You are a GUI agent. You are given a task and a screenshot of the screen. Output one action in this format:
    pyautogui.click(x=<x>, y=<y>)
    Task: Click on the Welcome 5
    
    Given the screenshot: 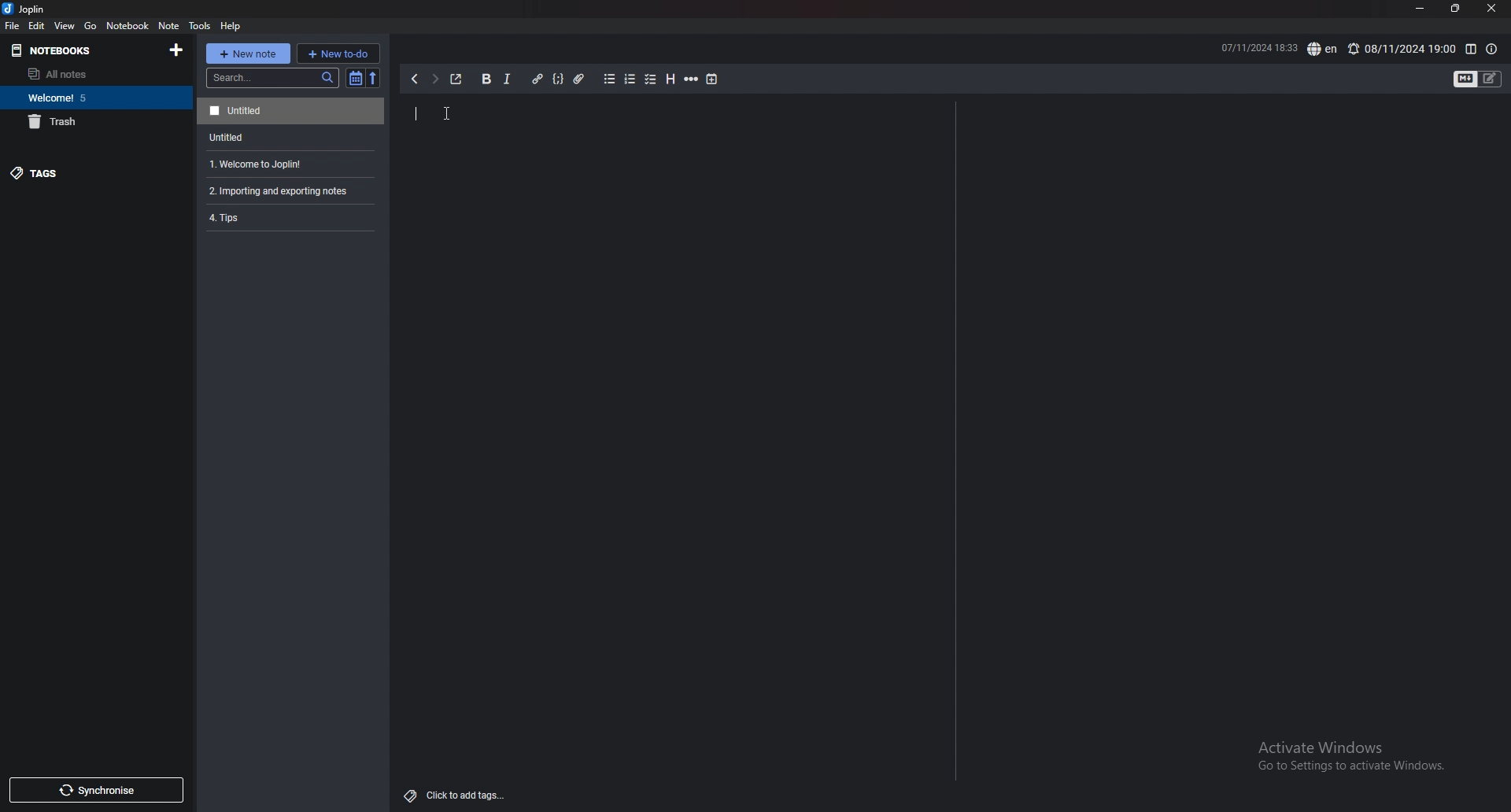 What is the action you would take?
    pyautogui.click(x=92, y=97)
    